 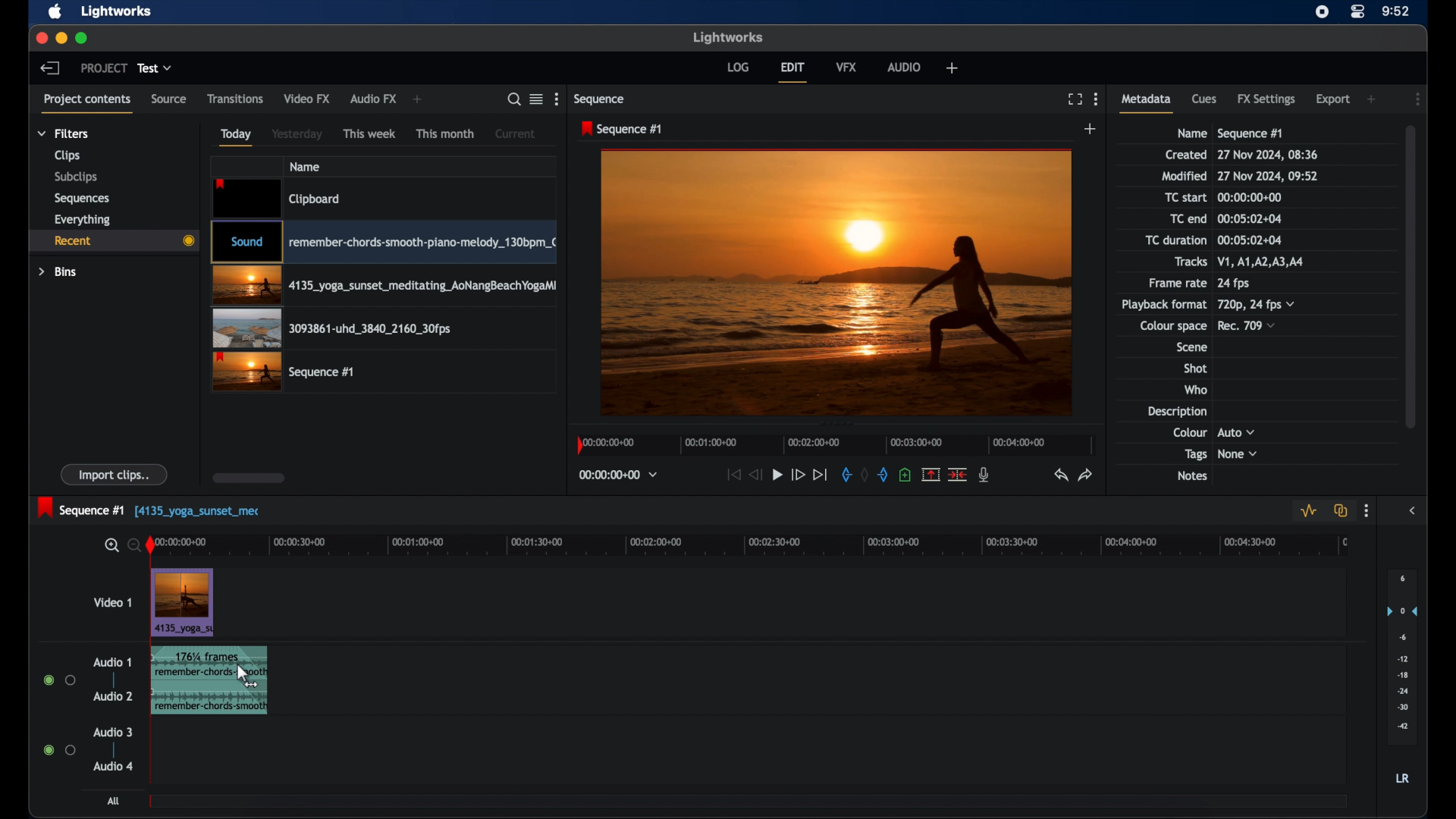 I want to click on metadata, so click(x=1147, y=102).